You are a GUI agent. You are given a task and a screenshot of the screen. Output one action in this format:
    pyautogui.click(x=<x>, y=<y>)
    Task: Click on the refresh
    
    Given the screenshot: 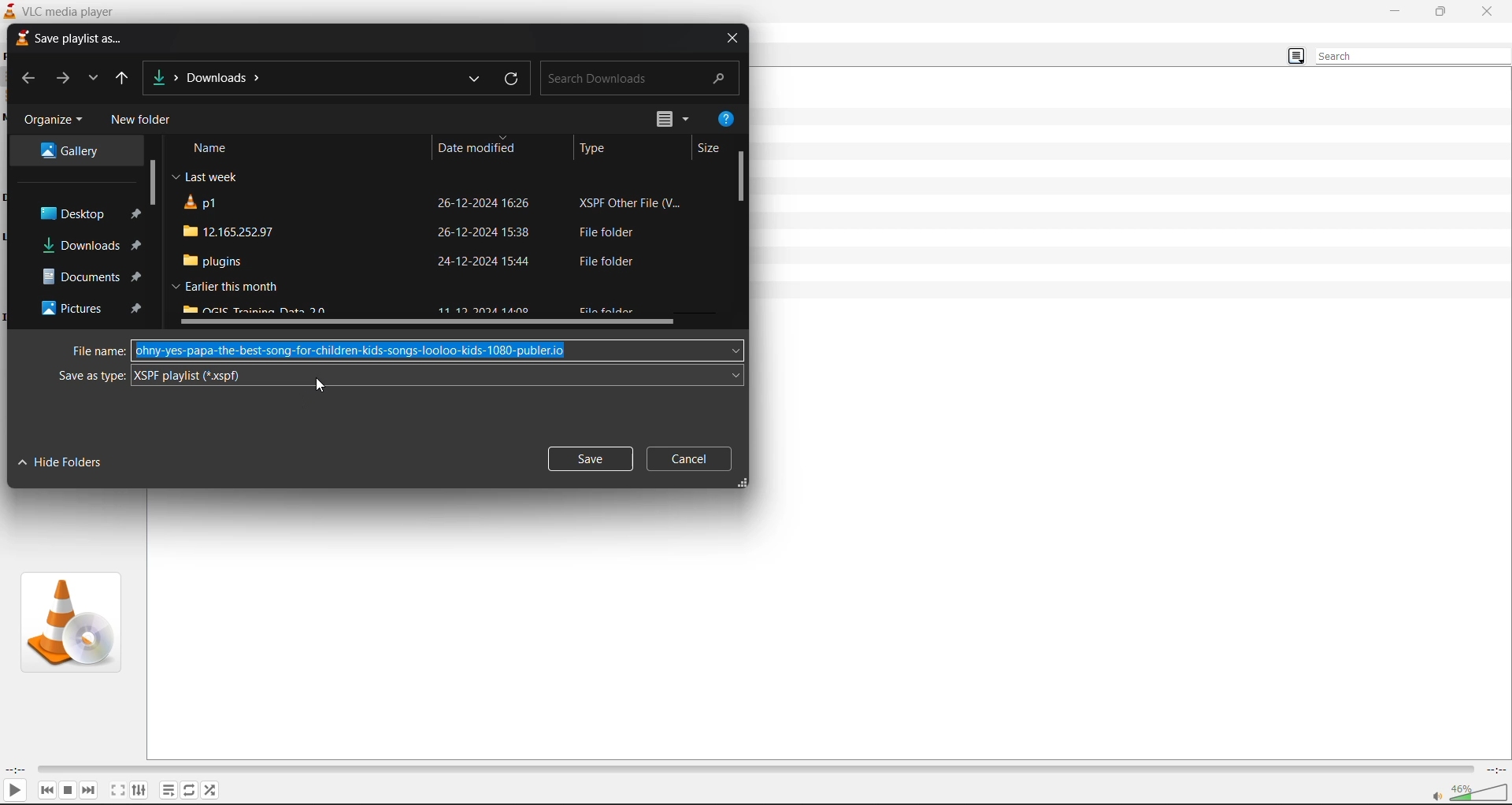 What is the action you would take?
    pyautogui.click(x=513, y=80)
    